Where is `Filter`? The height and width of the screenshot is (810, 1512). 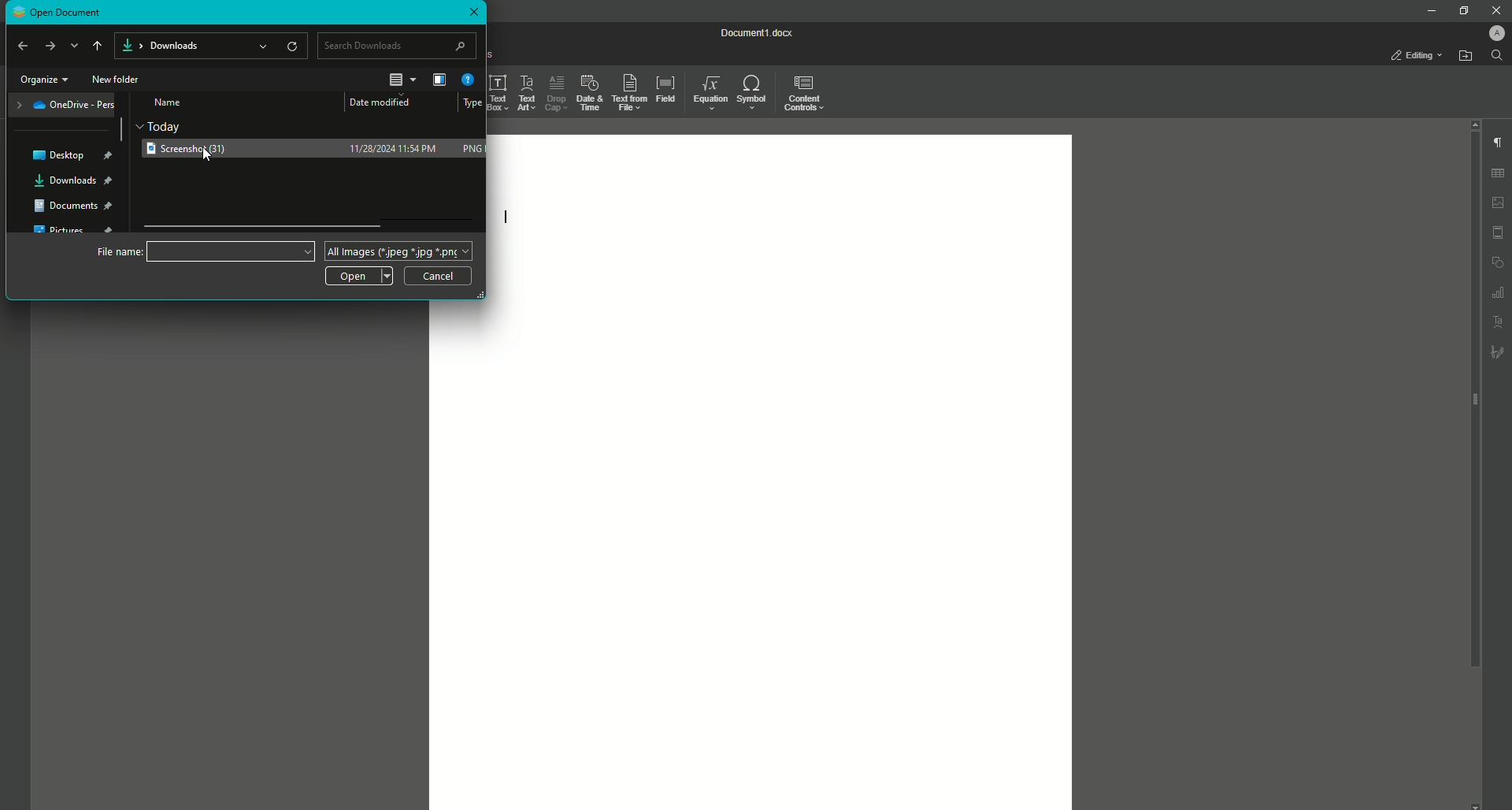 Filter is located at coordinates (441, 79).